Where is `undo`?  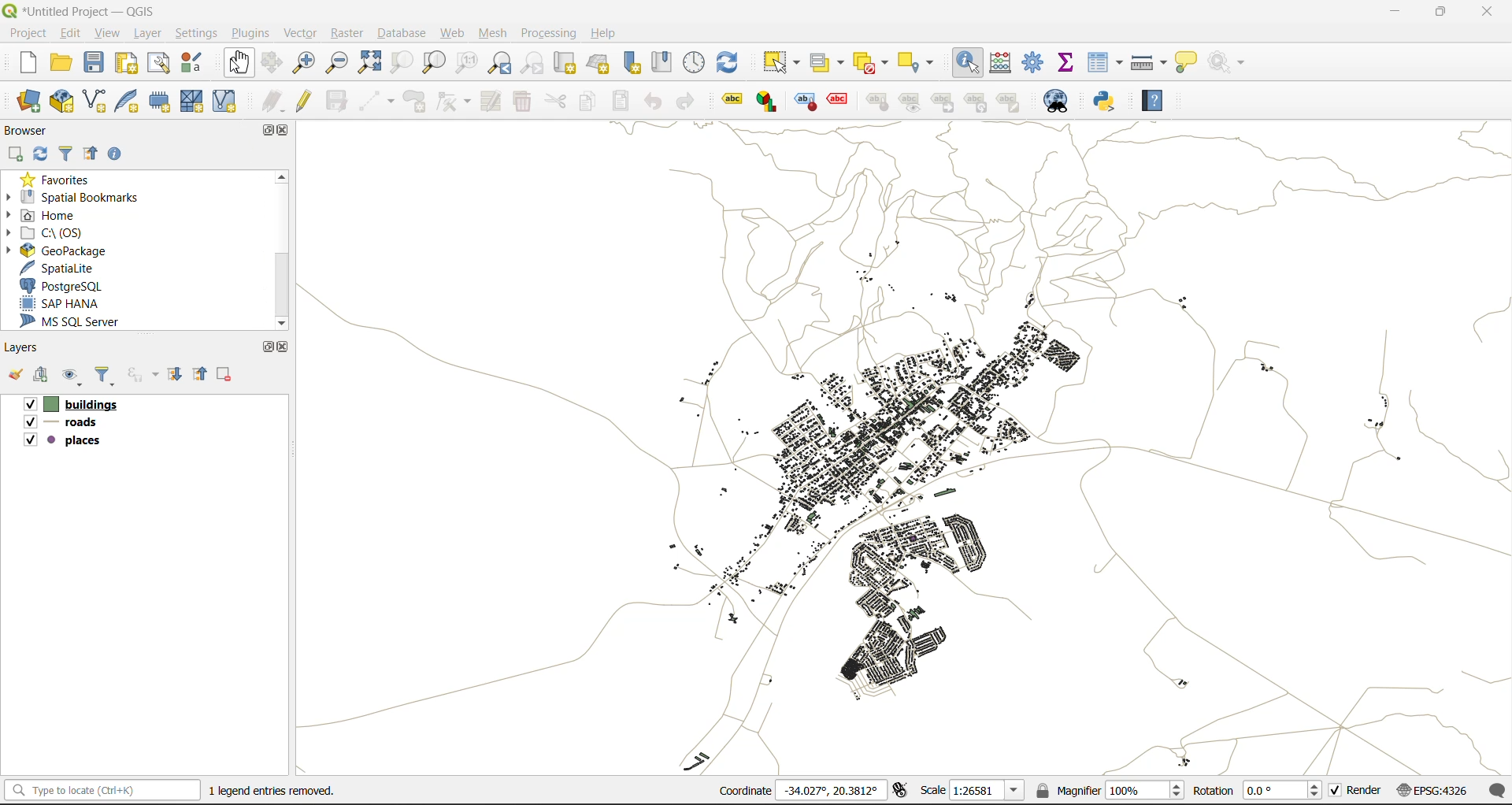
undo is located at coordinates (653, 102).